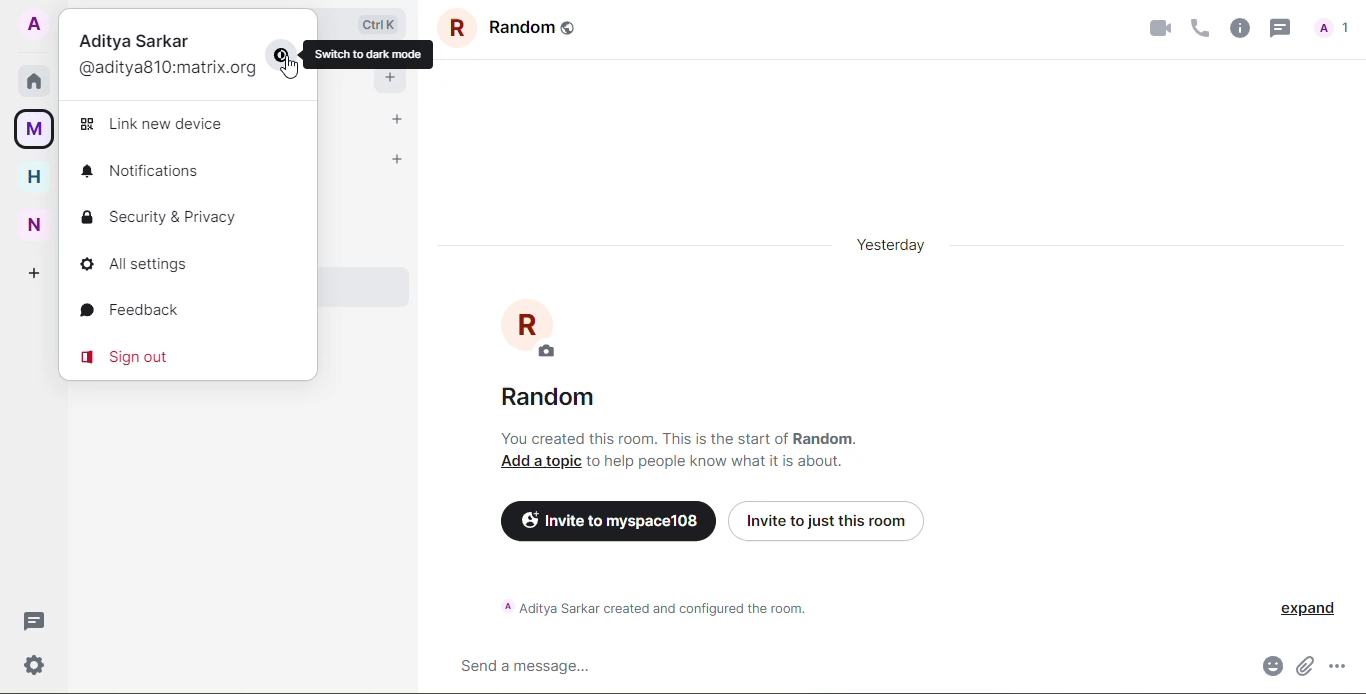 The width and height of the screenshot is (1366, 694). Describe the element at coordinates (1336, 25) in the screenshot. I see `profile` at that location.